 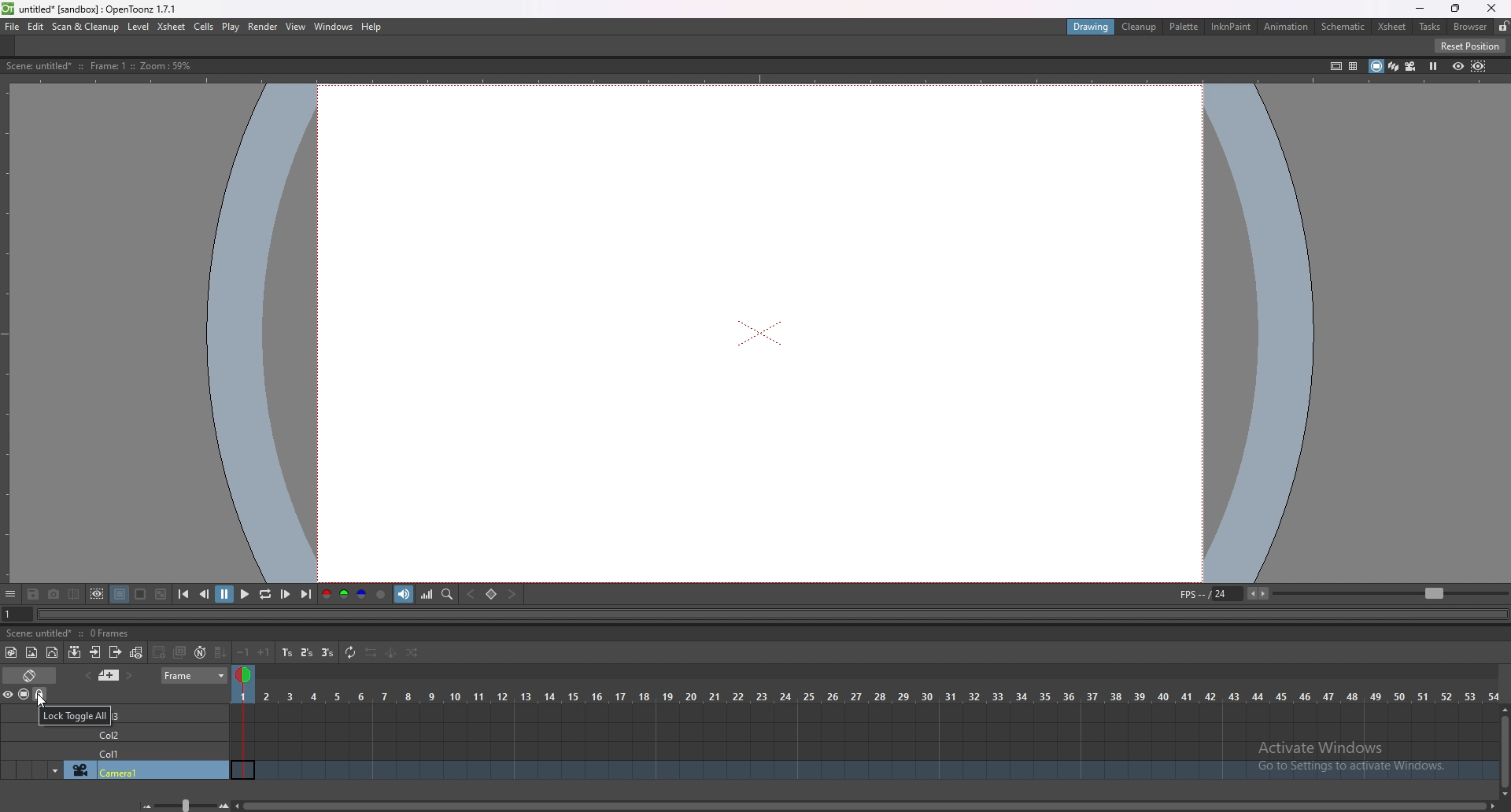 I want to click on auto input cell number, so click(x=201, y=652).